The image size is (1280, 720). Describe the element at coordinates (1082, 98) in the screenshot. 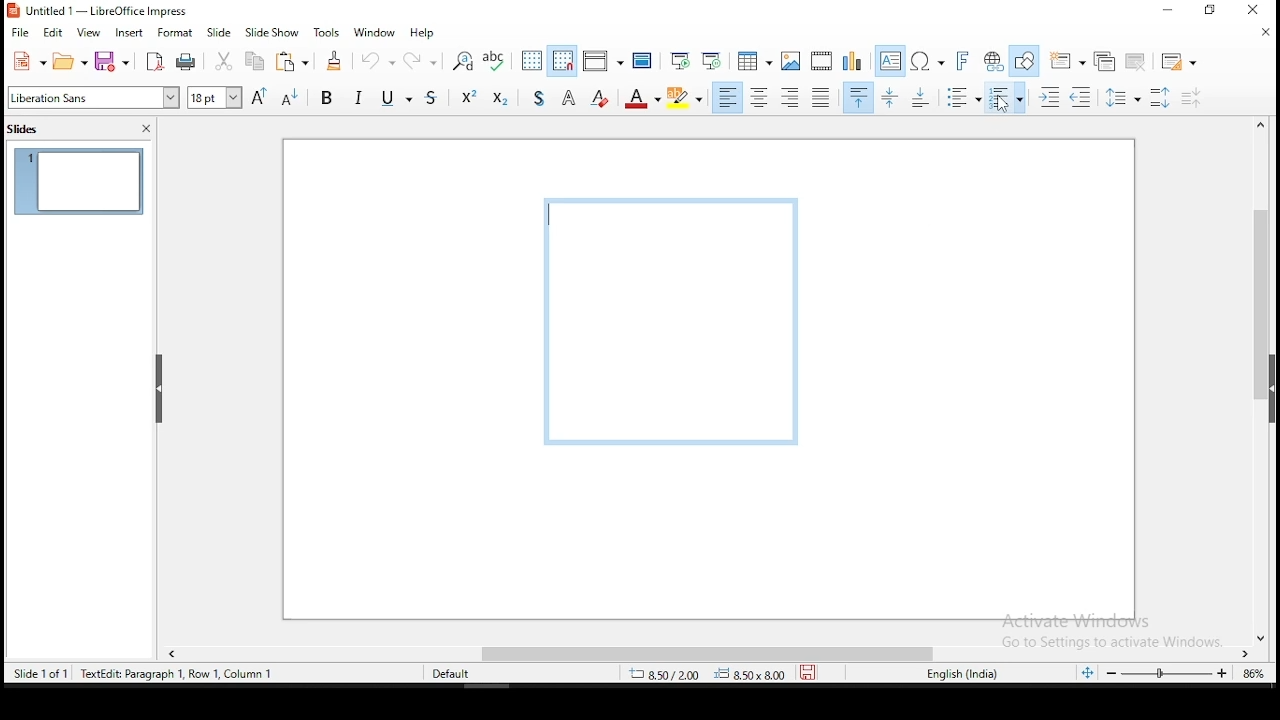

I see `decrease indent` at that location.